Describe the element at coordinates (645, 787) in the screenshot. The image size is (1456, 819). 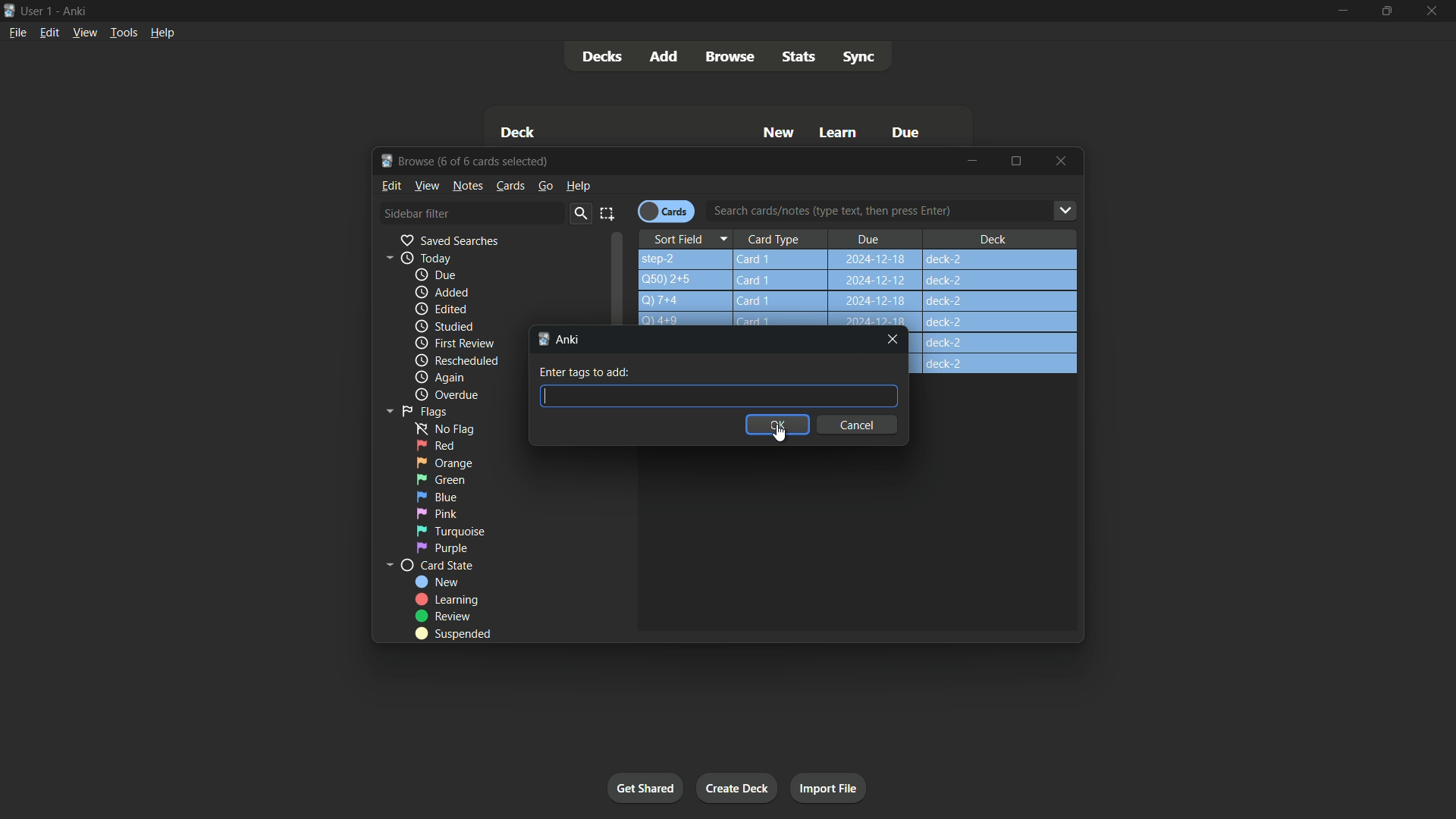
I see `Get started` at that location.